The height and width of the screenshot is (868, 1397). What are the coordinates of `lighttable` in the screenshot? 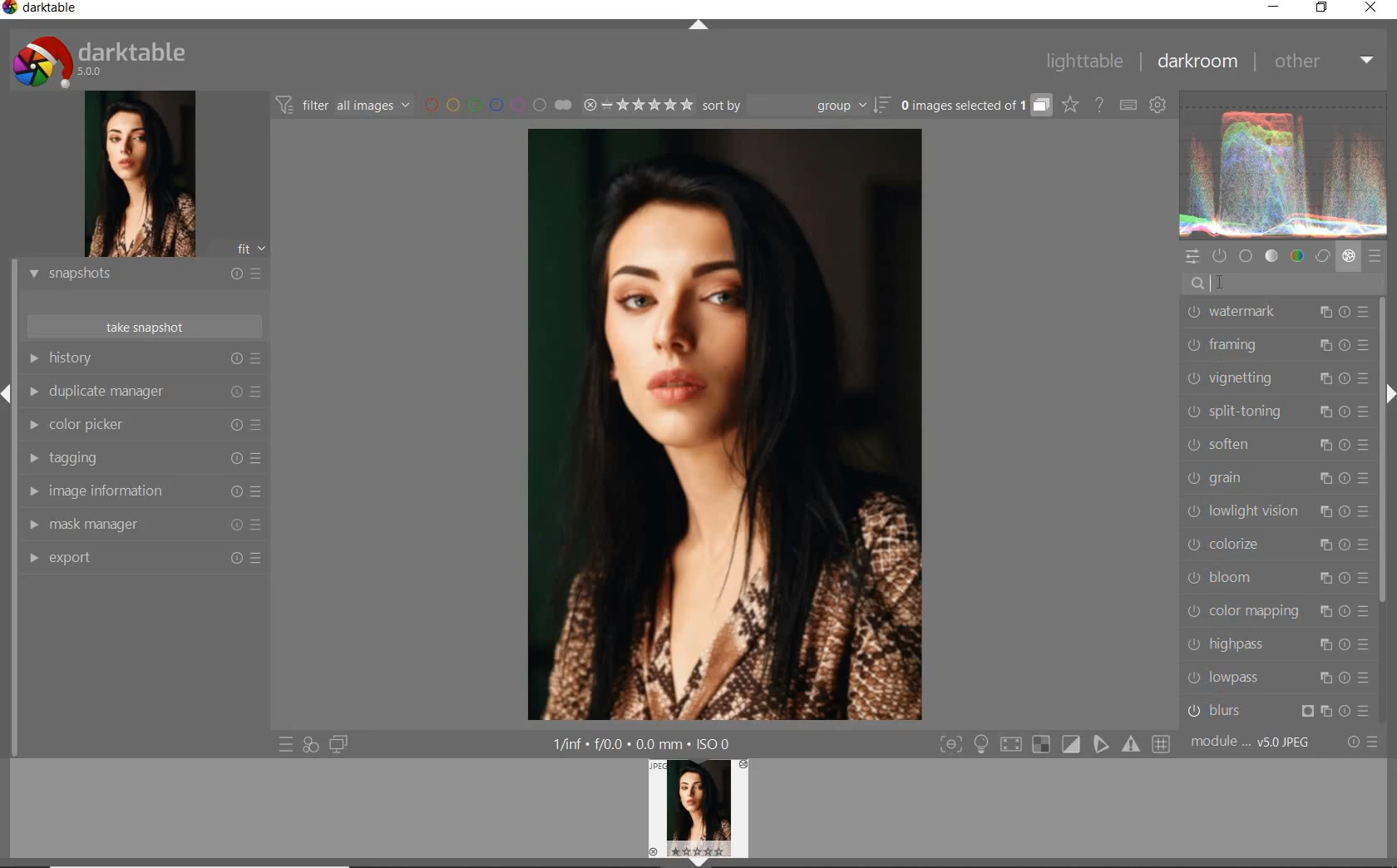 It's located at (1084, 62).